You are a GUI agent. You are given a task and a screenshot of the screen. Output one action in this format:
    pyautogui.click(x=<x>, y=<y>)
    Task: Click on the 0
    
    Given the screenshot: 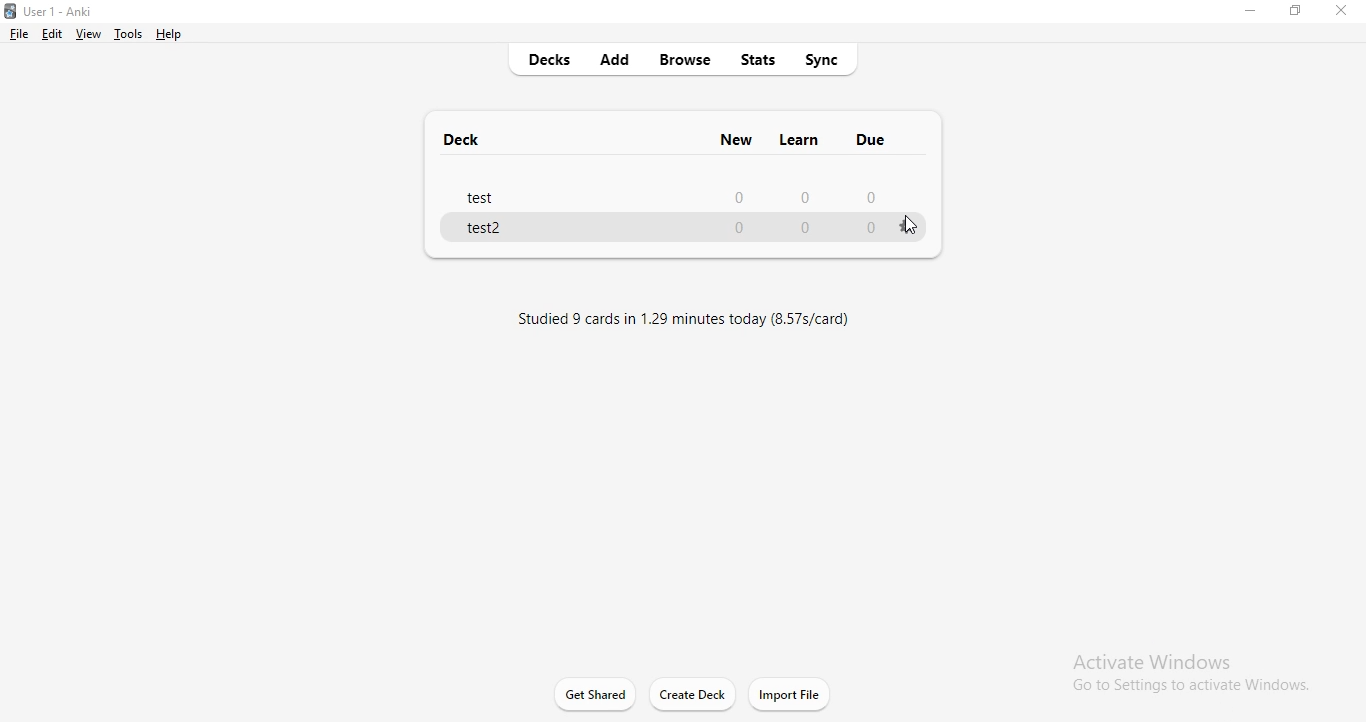 What is the action you would take?
    pyautogui.click(x=800, y=199)
    